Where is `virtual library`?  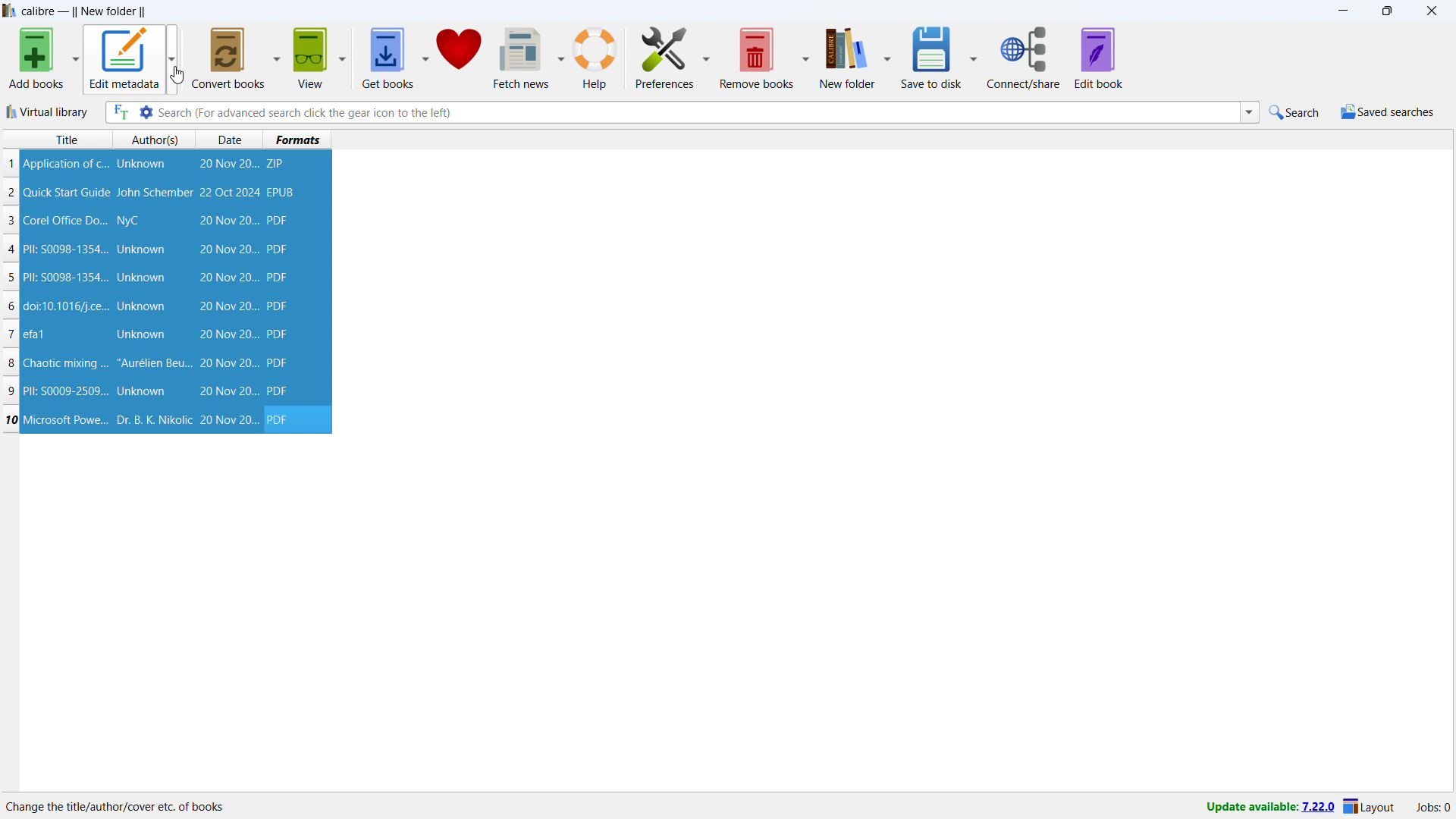
virtual library is located at coordinates (48, 111).